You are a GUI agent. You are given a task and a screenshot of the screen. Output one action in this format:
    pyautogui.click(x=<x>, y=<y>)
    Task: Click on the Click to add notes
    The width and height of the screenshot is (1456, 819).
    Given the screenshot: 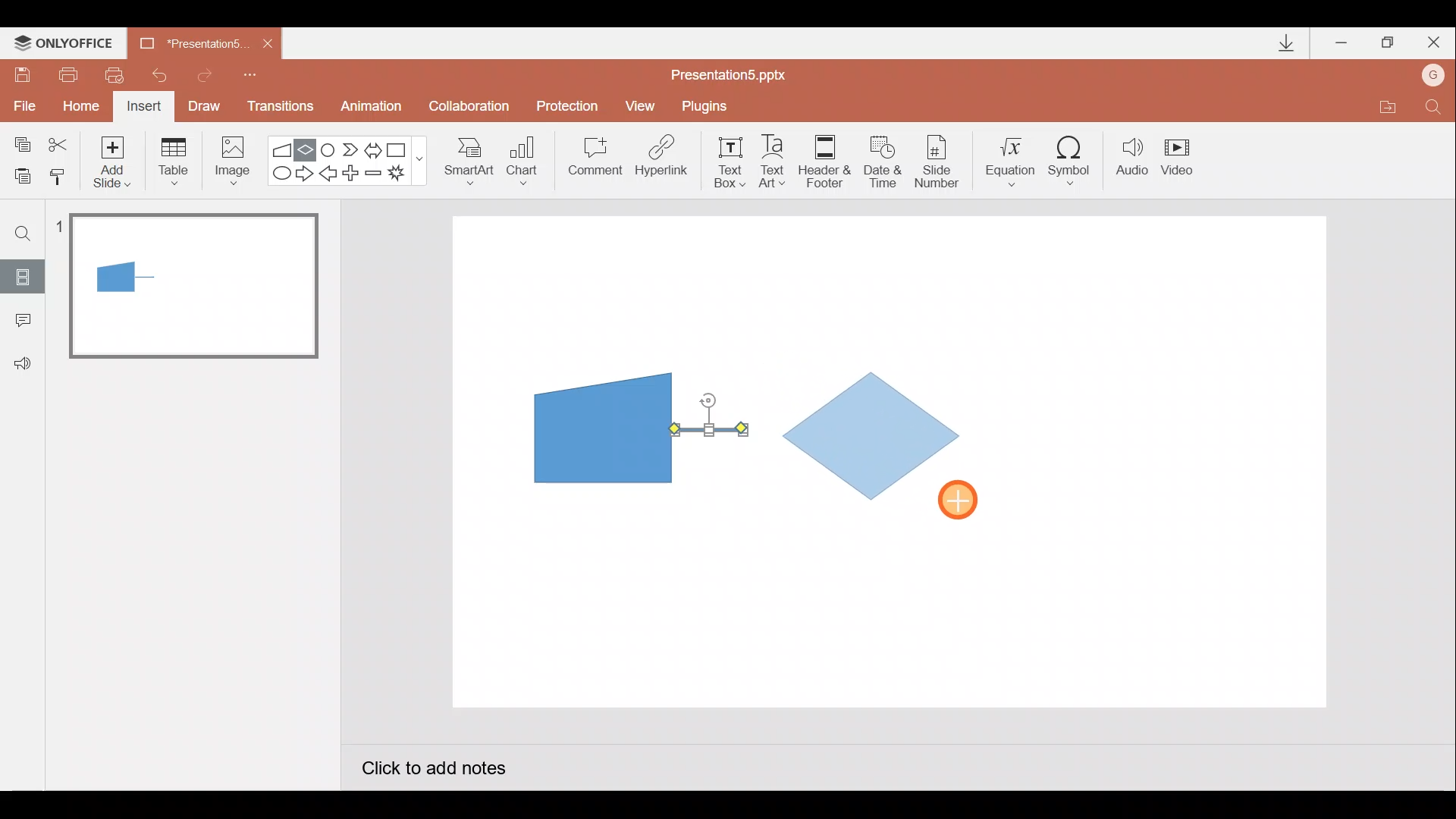 What is the action you would take?
    pyautogui.click(x=432, y=770)
    